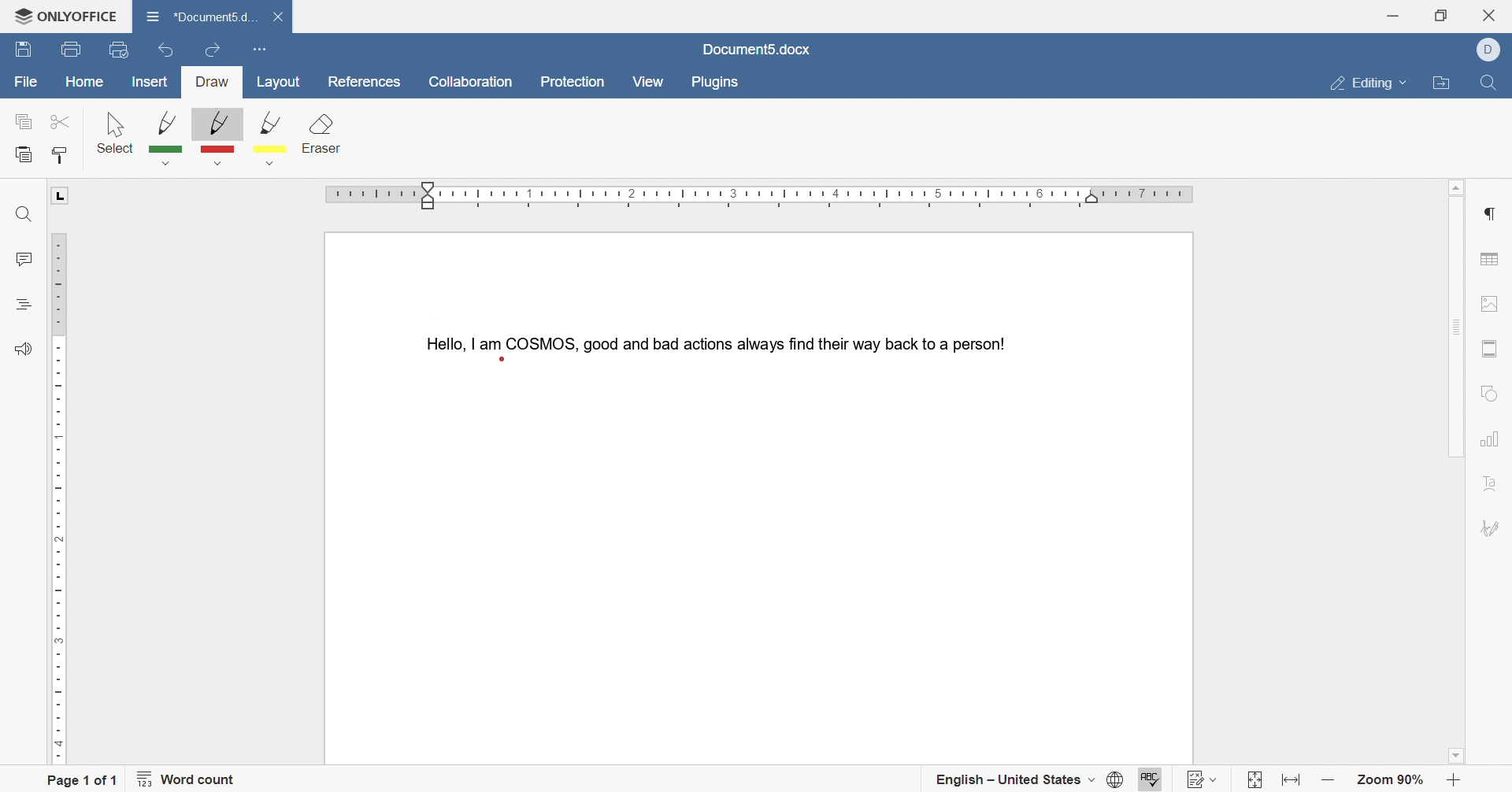  I want to click on red pen, so click(215, 138).